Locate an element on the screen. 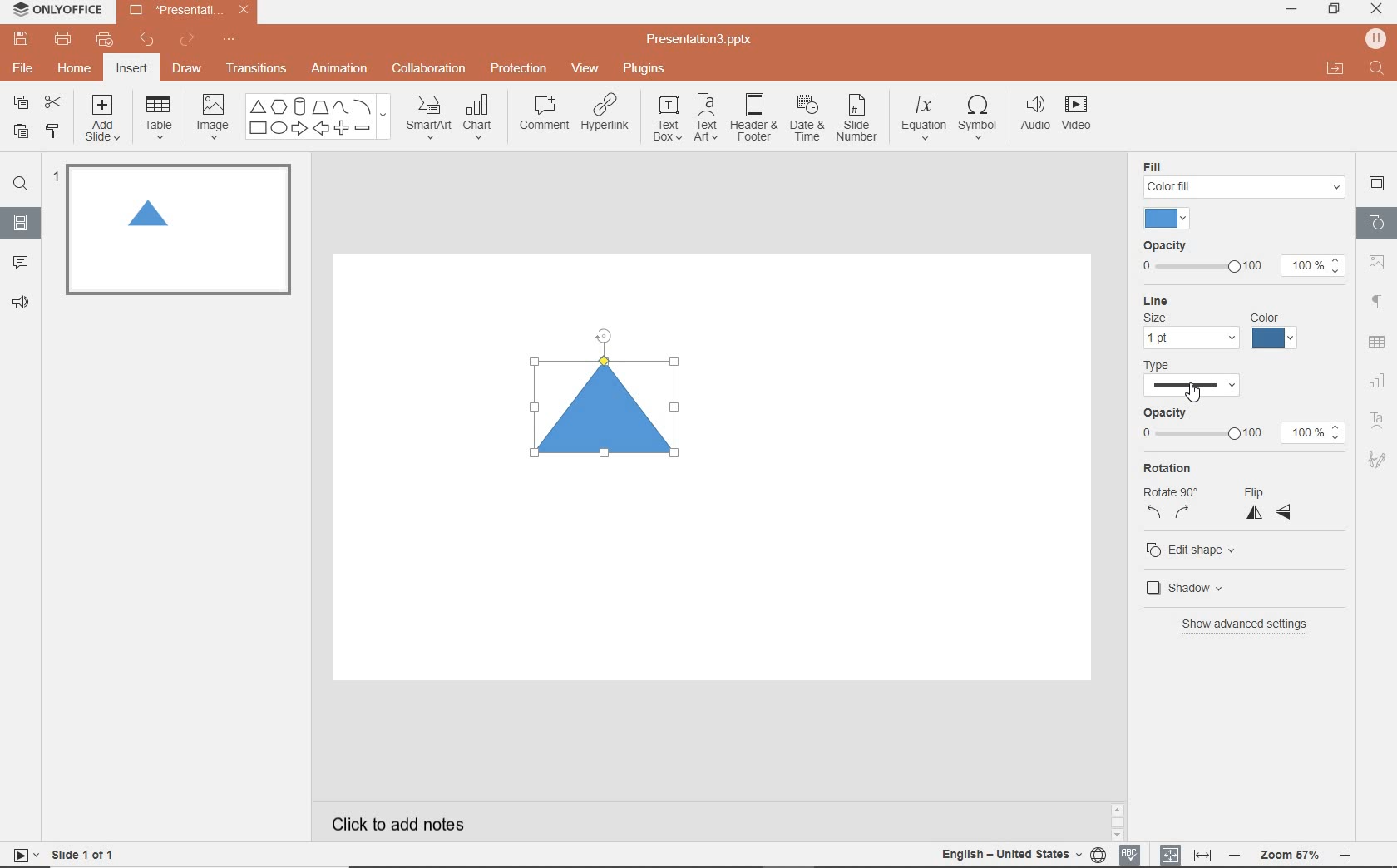 The height and width of the screenshot is (868, 1397). SMARTART is located at coordinates (429, 123).